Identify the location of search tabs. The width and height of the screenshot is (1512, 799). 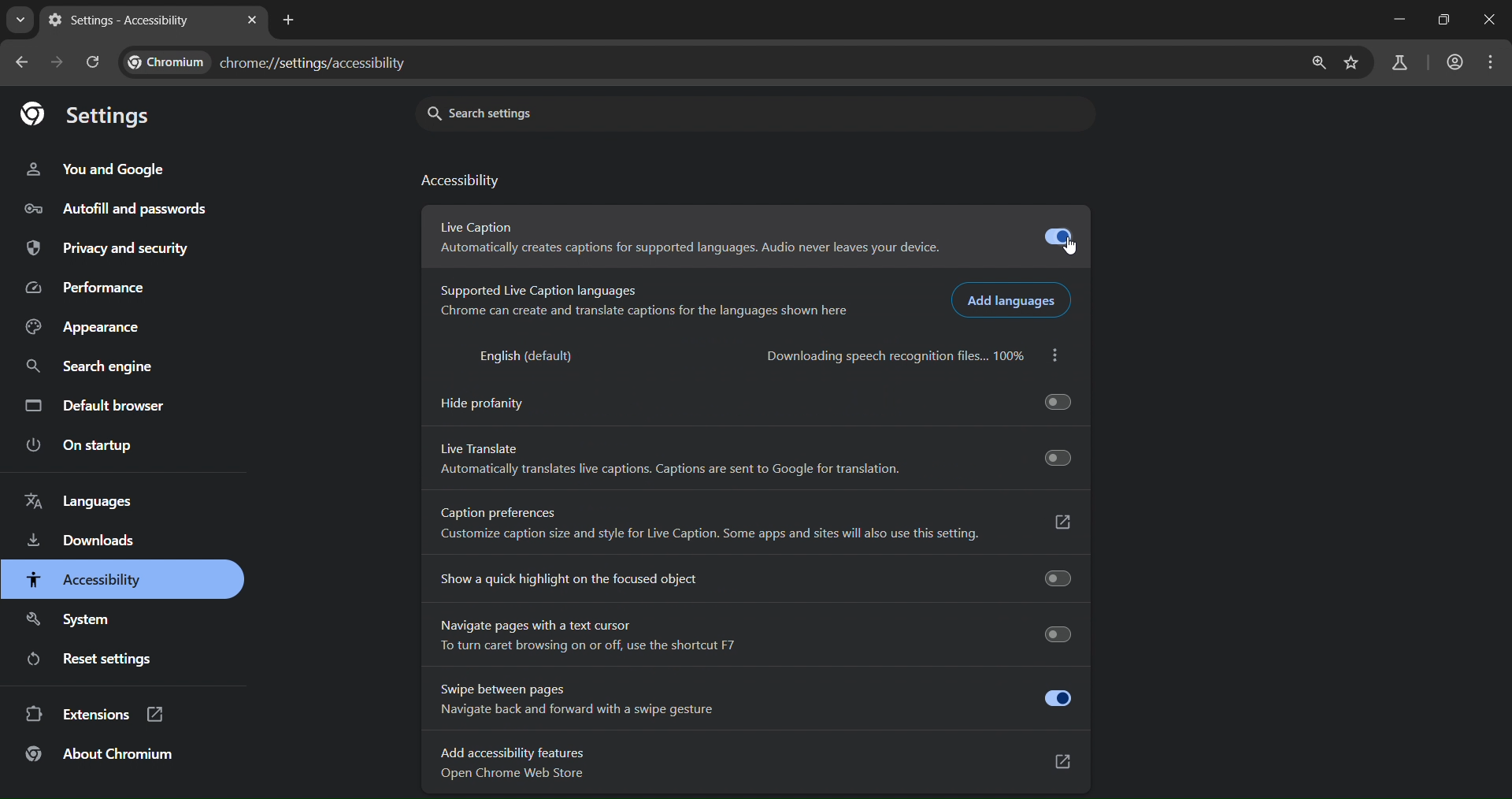
(20, 21).